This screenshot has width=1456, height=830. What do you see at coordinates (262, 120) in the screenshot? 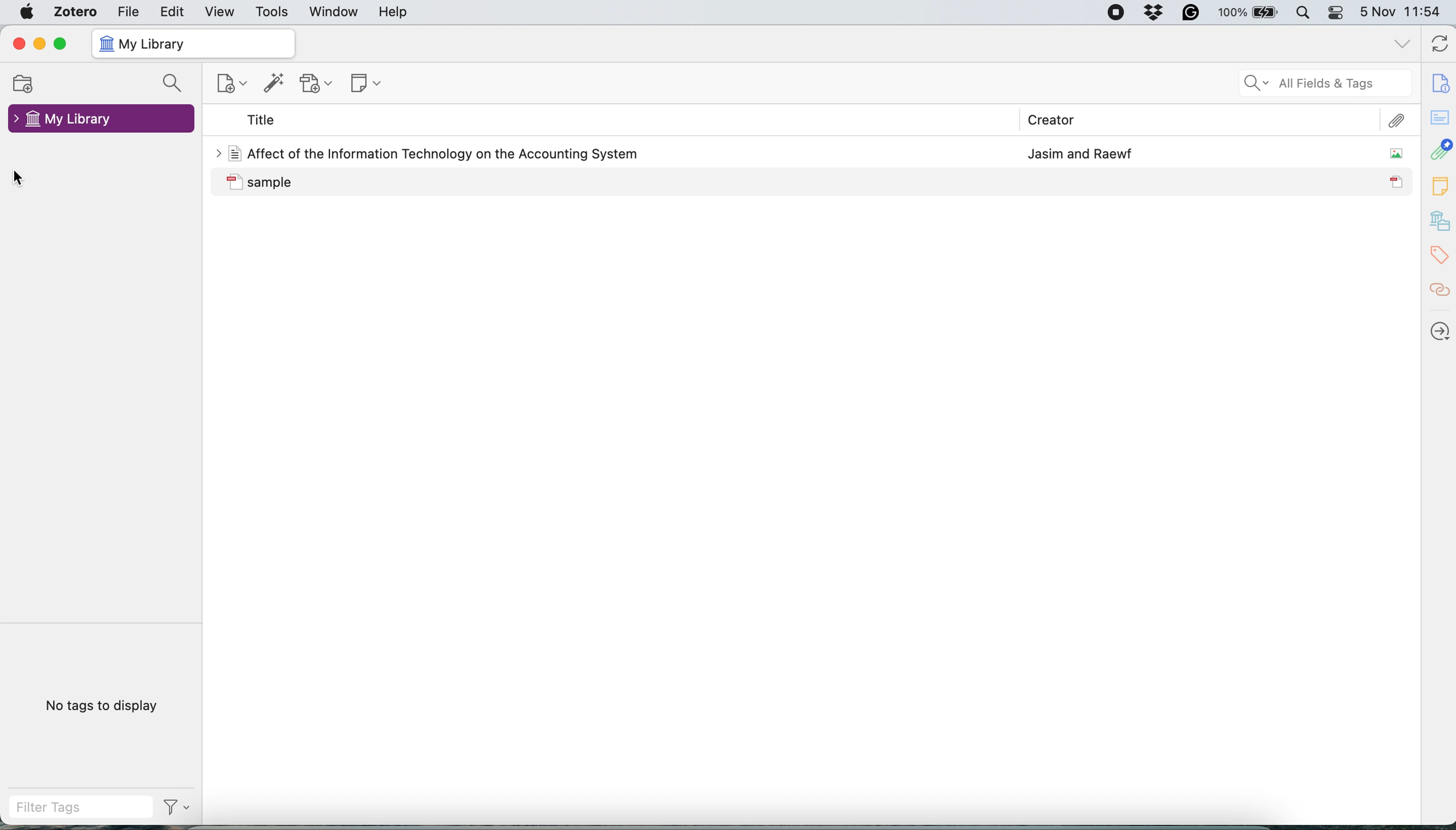
I see `title` at bounding box center [262, 120].